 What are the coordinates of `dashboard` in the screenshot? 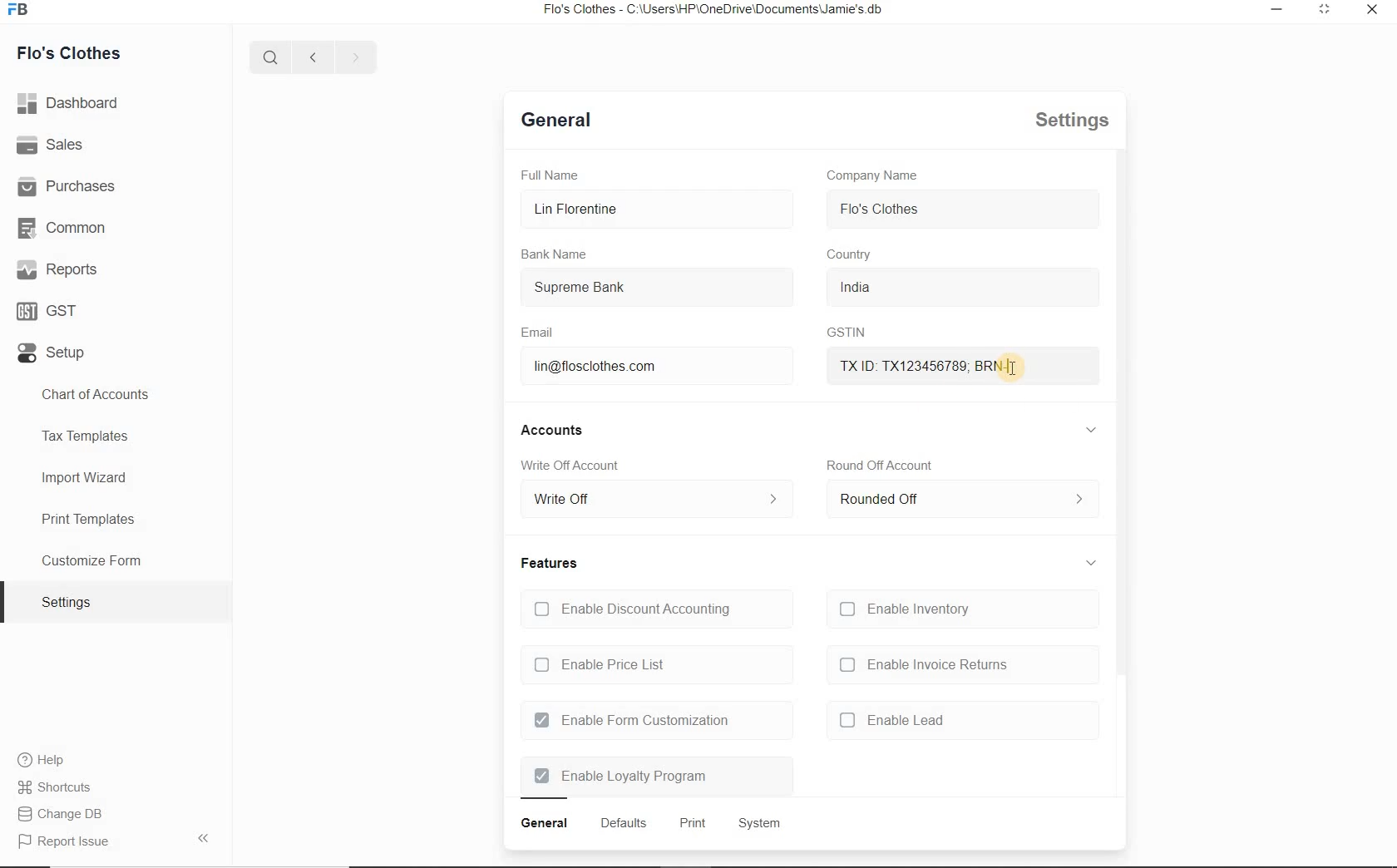 It's located at (70, 103).